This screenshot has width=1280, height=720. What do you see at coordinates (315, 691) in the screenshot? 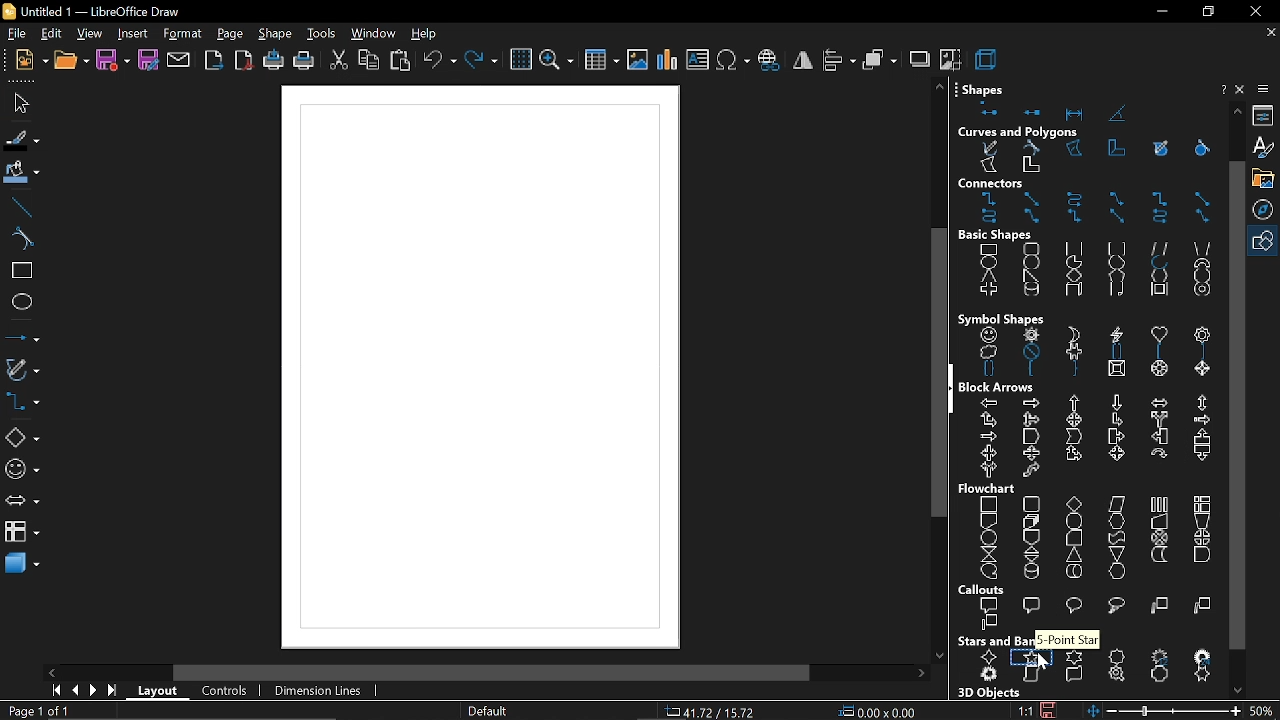
I see `dimension lines` at bounding box center [315, 691].